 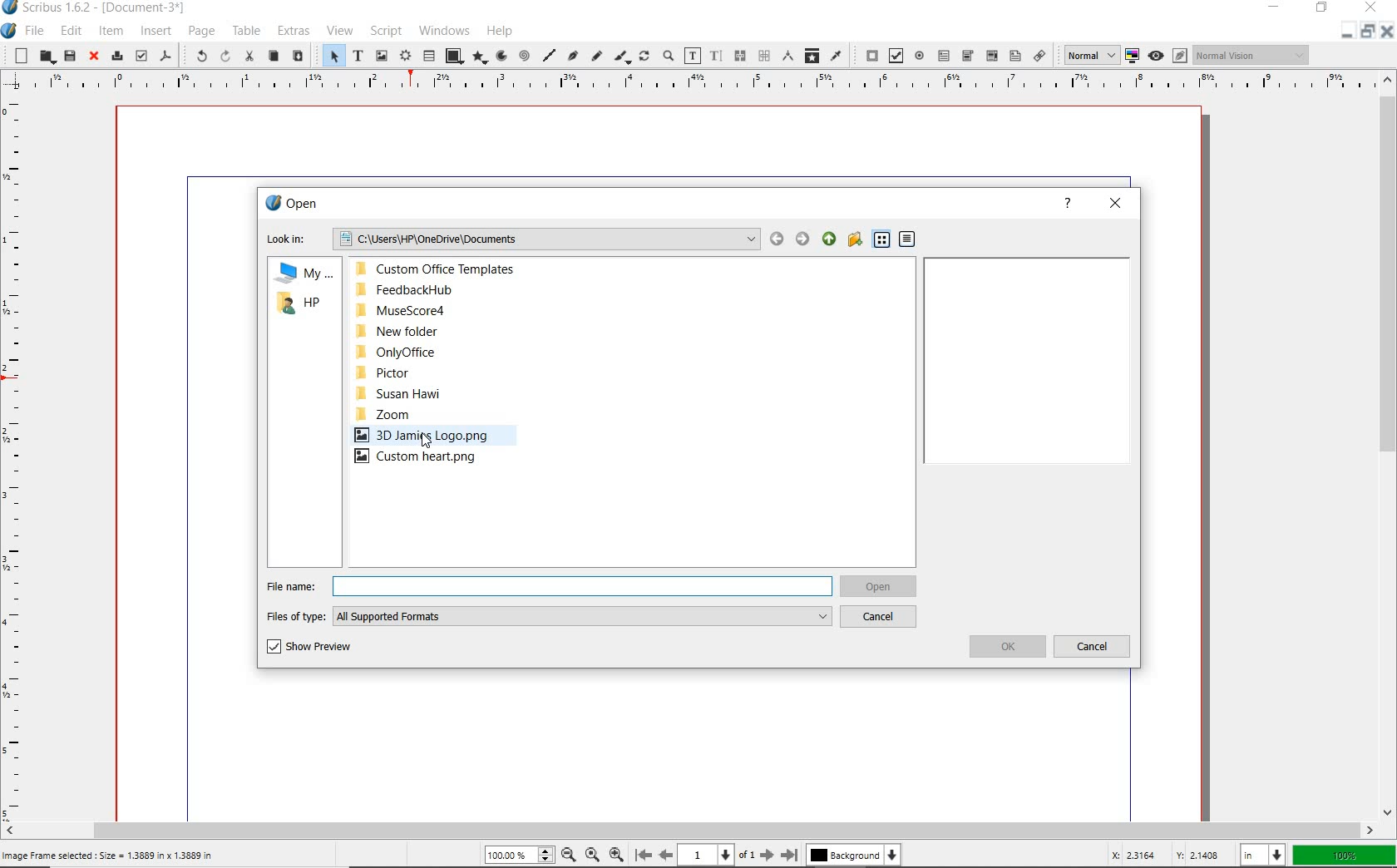 I want to click on OPEN, so click(x=881, y=586).